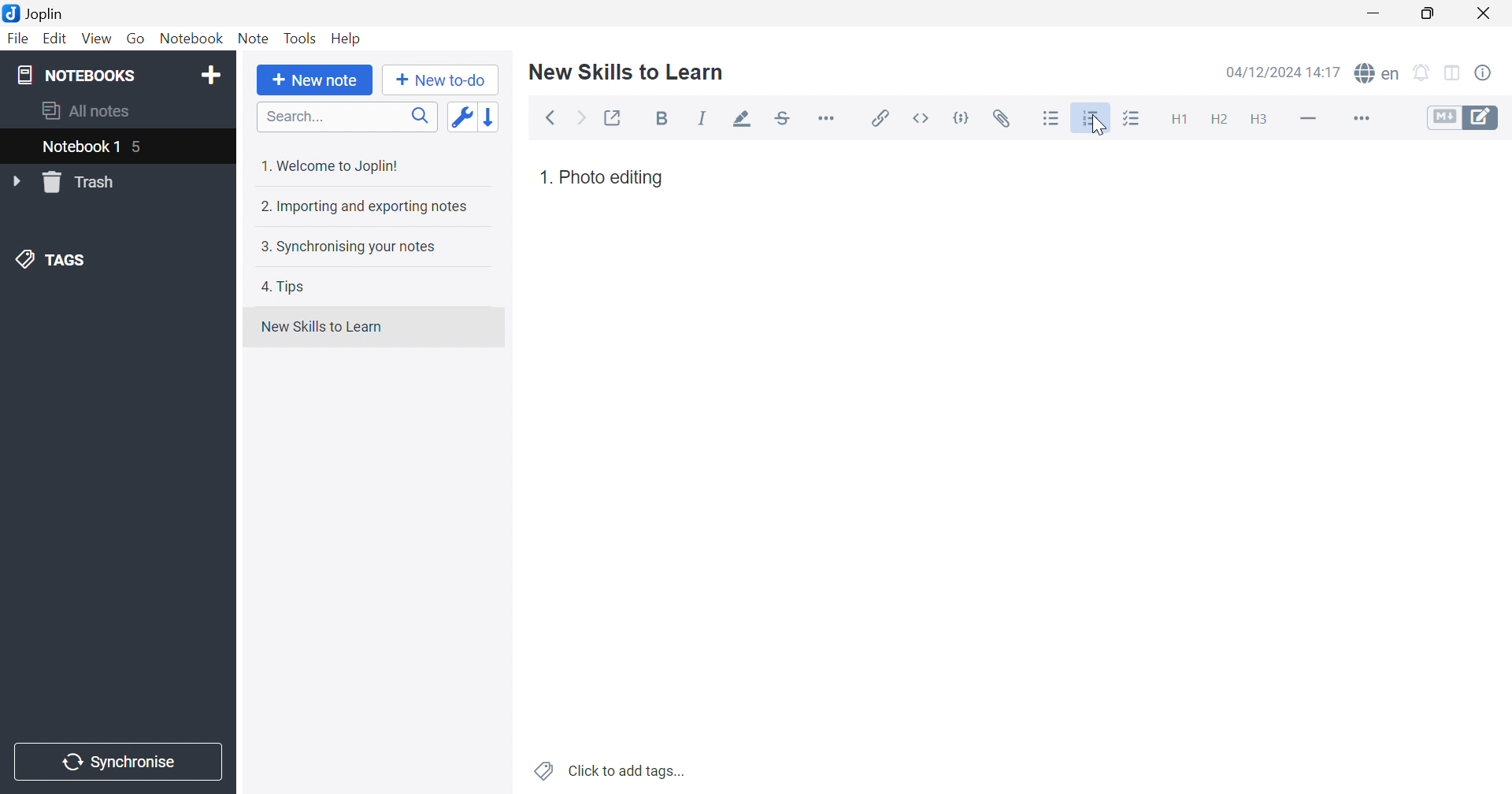 The image size is (1512, 794). Describe the element at coordinates (300, 38) in the screenshot. I see `Tools` at that location.